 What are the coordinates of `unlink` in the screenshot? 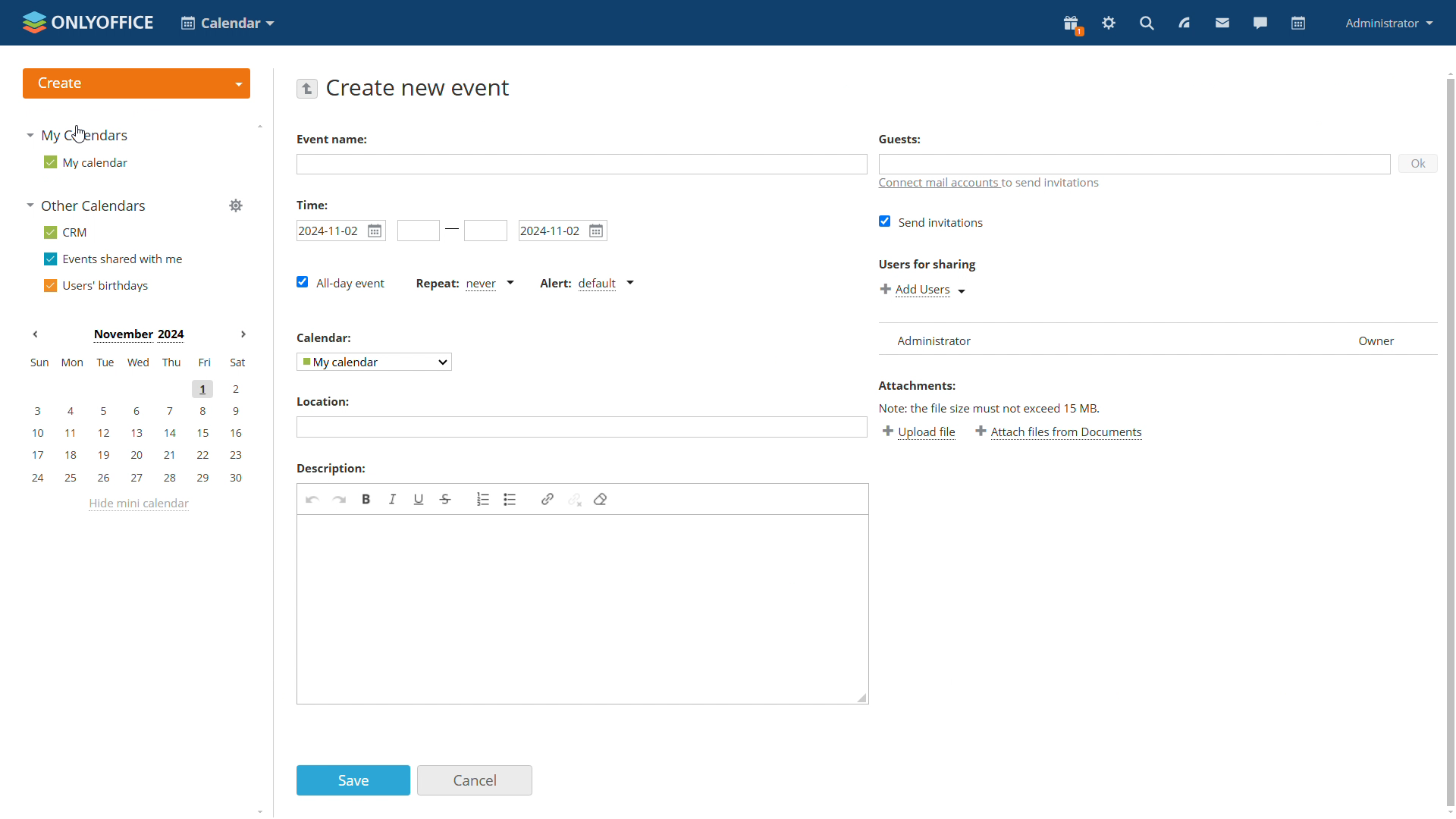 It's located at (576, 500).